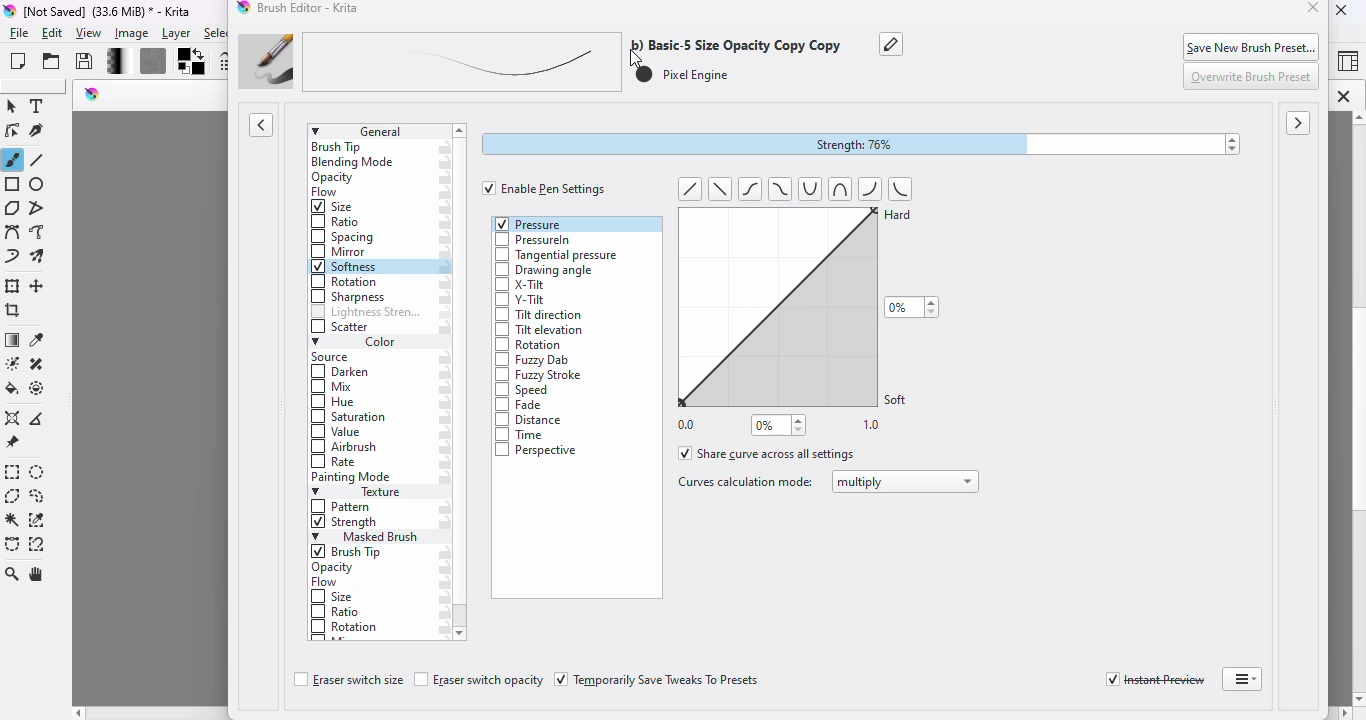 This screenshot has height=720, width=1366. What do you see at coordinates (346, 628) in the screenshot?
I see `rotation` at bounding box center [346, 628].